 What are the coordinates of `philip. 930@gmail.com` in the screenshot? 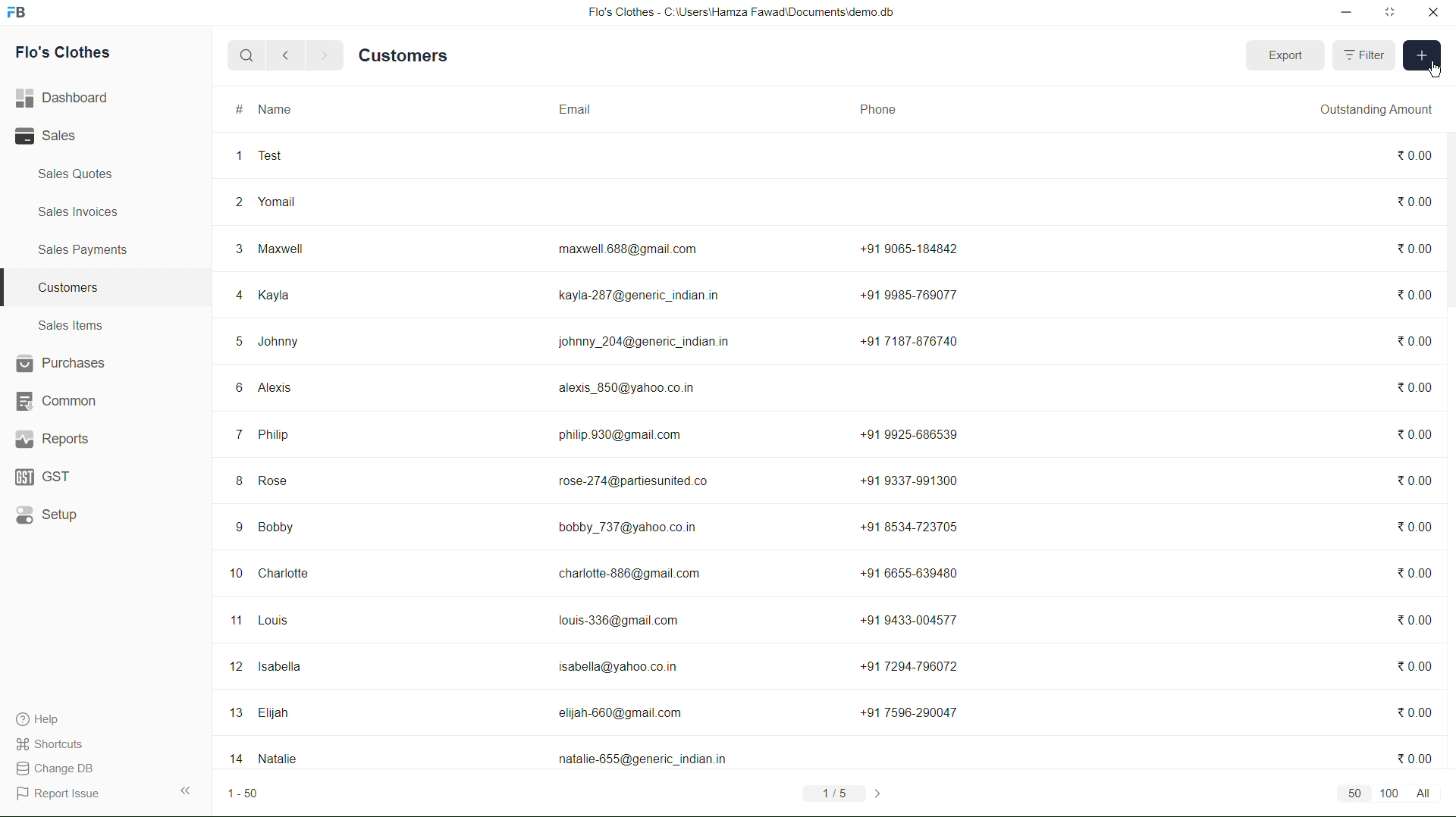 It's located at (623, 435).